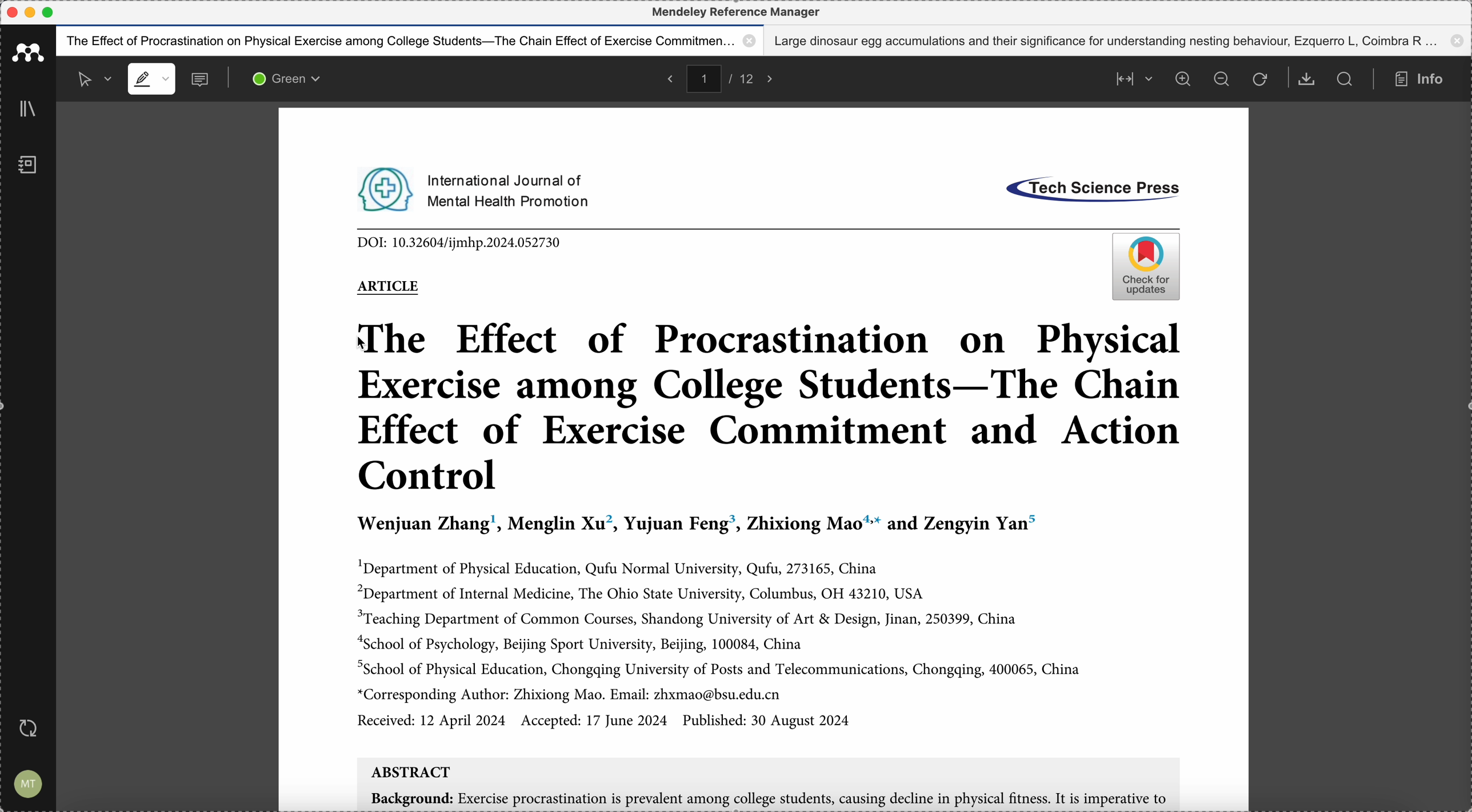 The width and height of the screenshot is (1472, 812). What do you see at coordinates (33, 12) in the screenshot?
I see `minimize` at bounding box center [33, 12].